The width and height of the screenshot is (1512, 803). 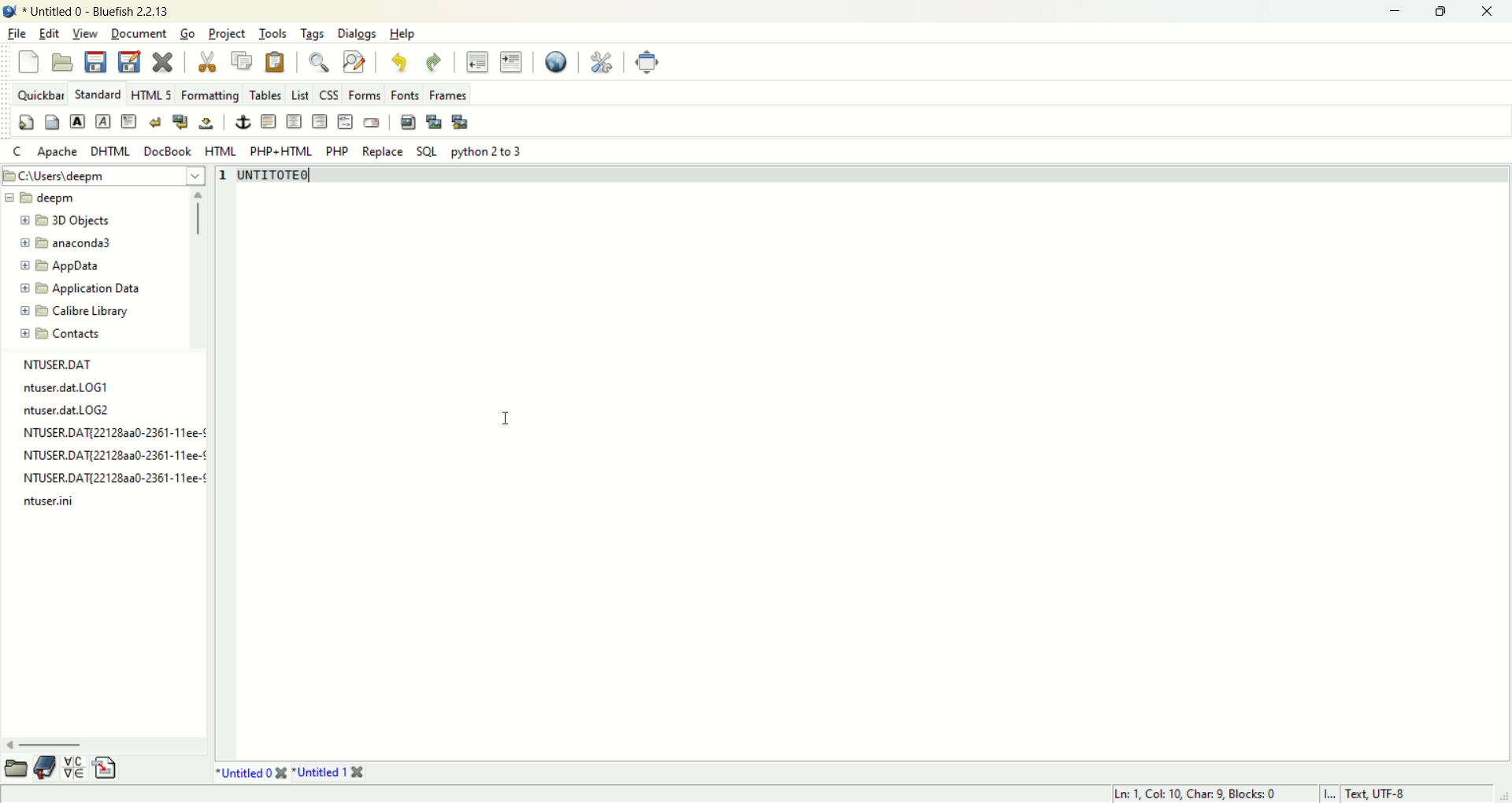 What do you see at coordinates (24, 123) in the screenshot?
I see `quickstart` at bounding box center [24, 123].